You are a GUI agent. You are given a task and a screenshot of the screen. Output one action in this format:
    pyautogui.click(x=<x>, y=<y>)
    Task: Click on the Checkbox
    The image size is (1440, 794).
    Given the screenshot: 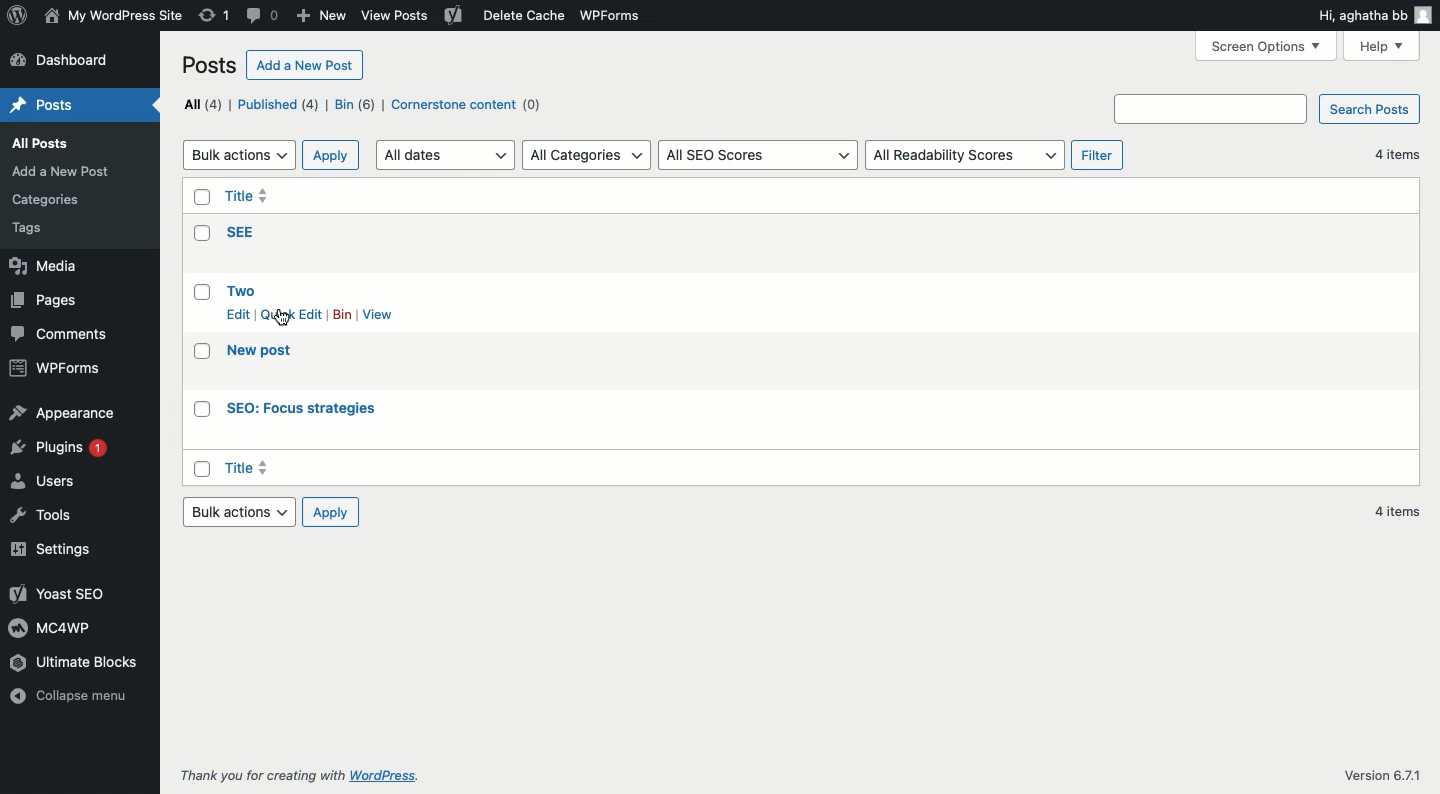 What is the action you would take?
    pyautogui.click(x=203, y=410)
    